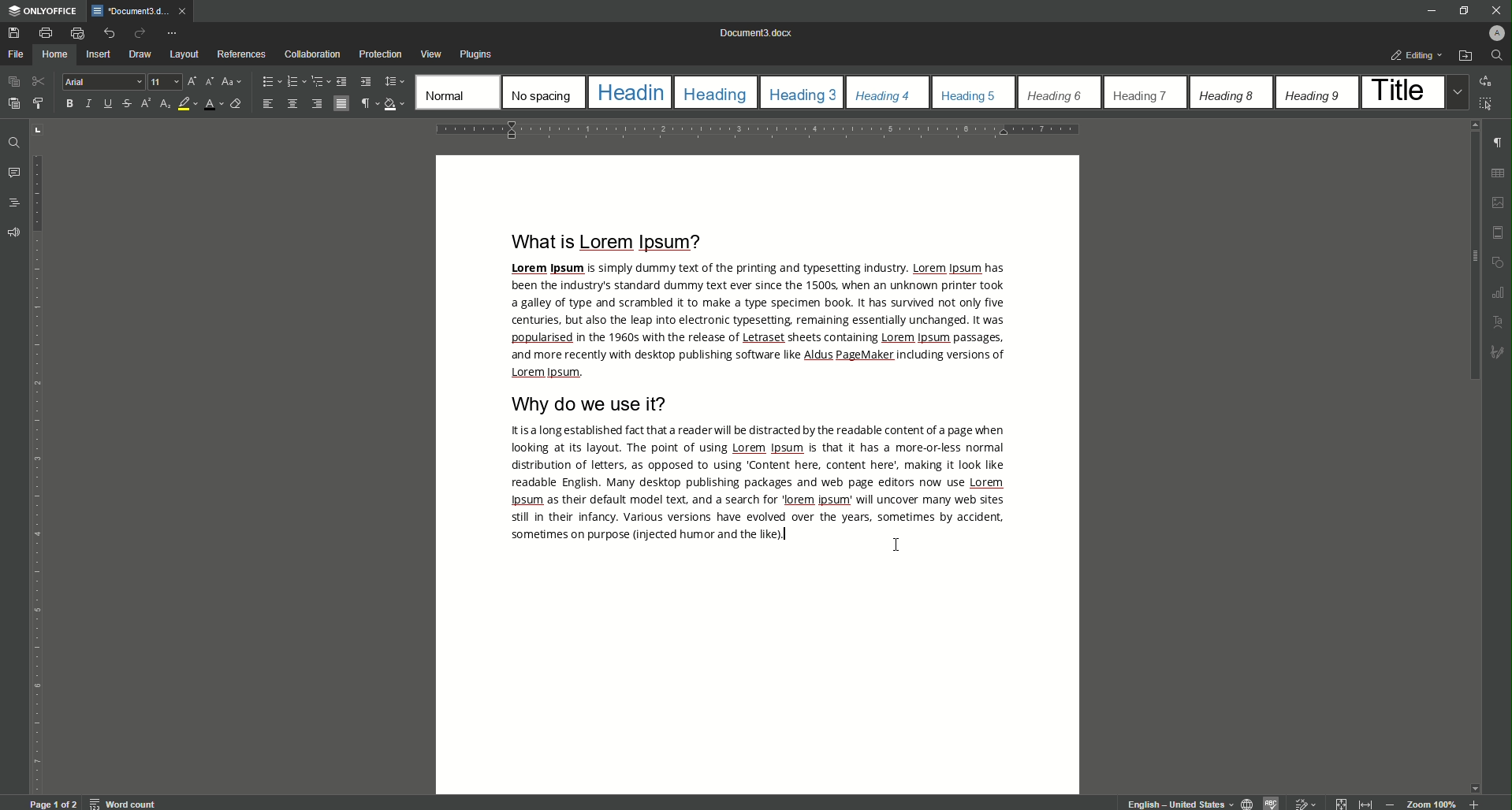 This screenshot has height=810, width=1512. I want to click on Heading 5, so click(970, 95).